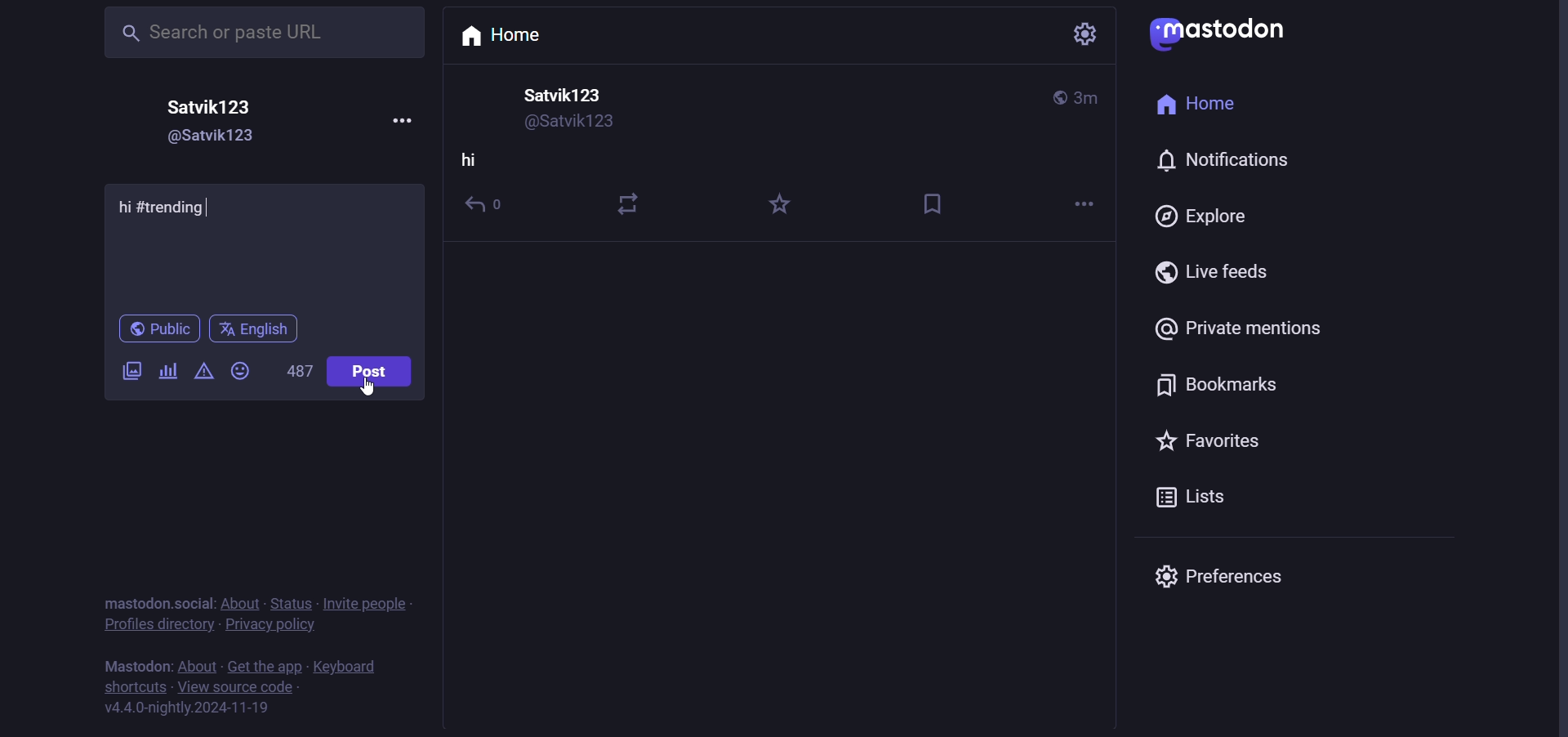 Image resolution: width=1568 pixels, height=737 pixels. What do you see at coordinates (1218, 161) in the screenshot?
I see `notification` at bounding box center [1218, 161].